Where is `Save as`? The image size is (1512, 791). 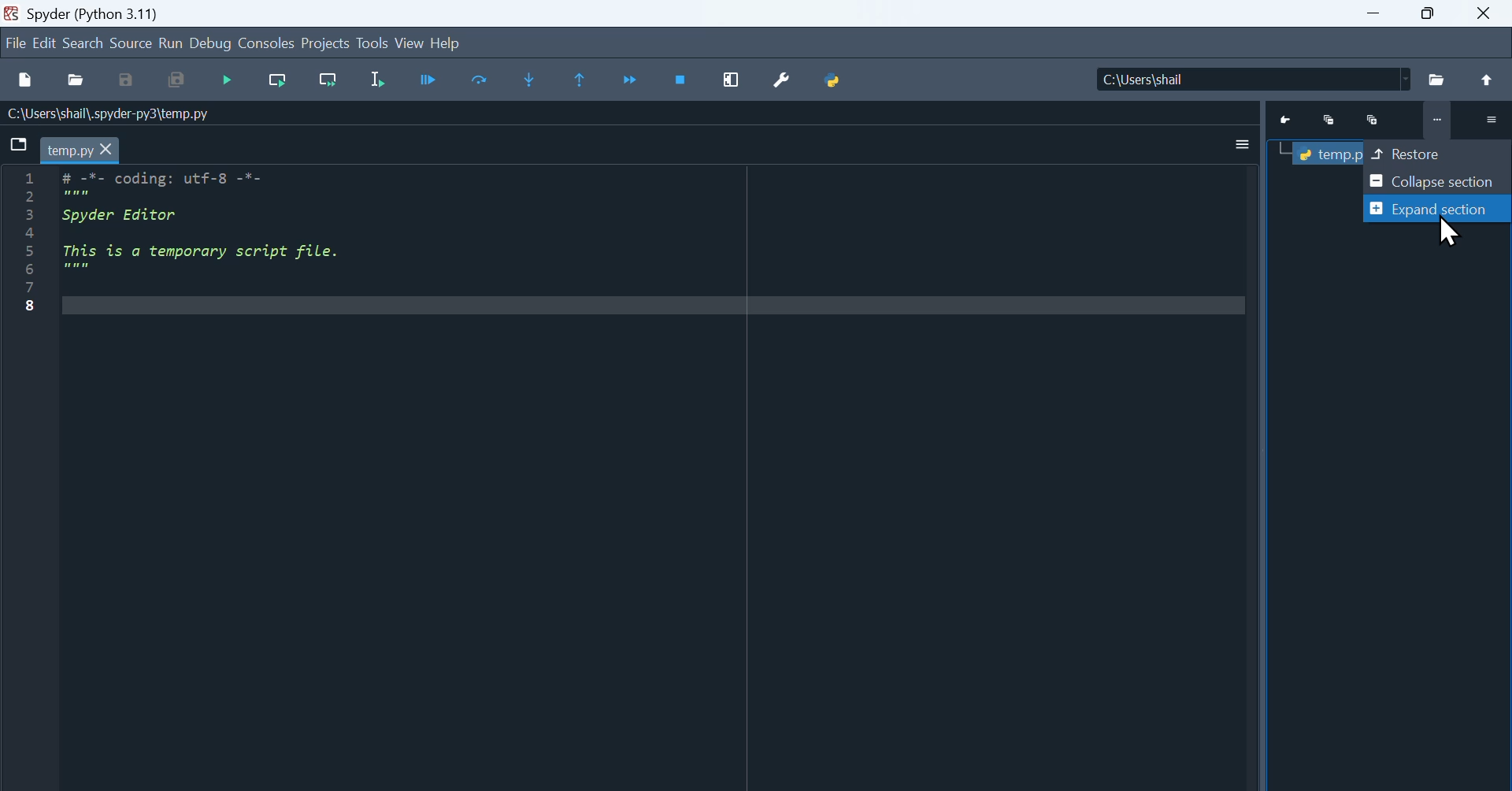 Save as is located at coordinates (126, 81).